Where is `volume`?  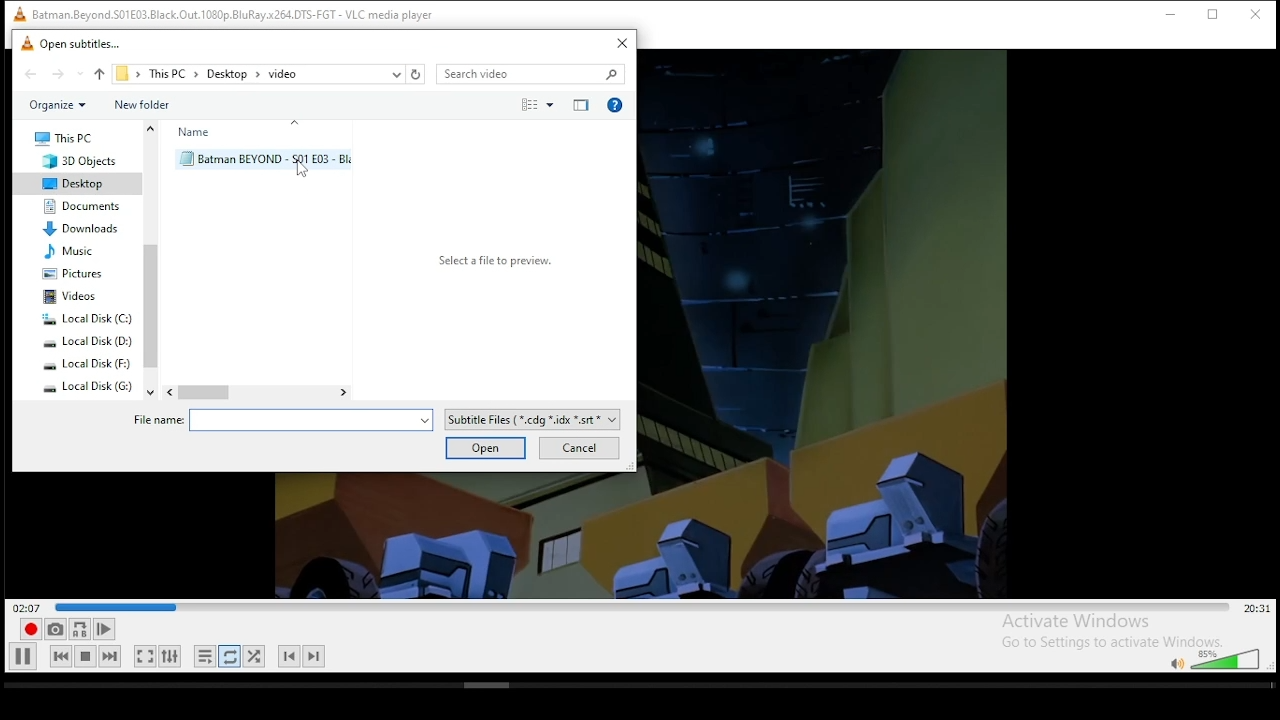 volume is located at coordinates (1228, 658).